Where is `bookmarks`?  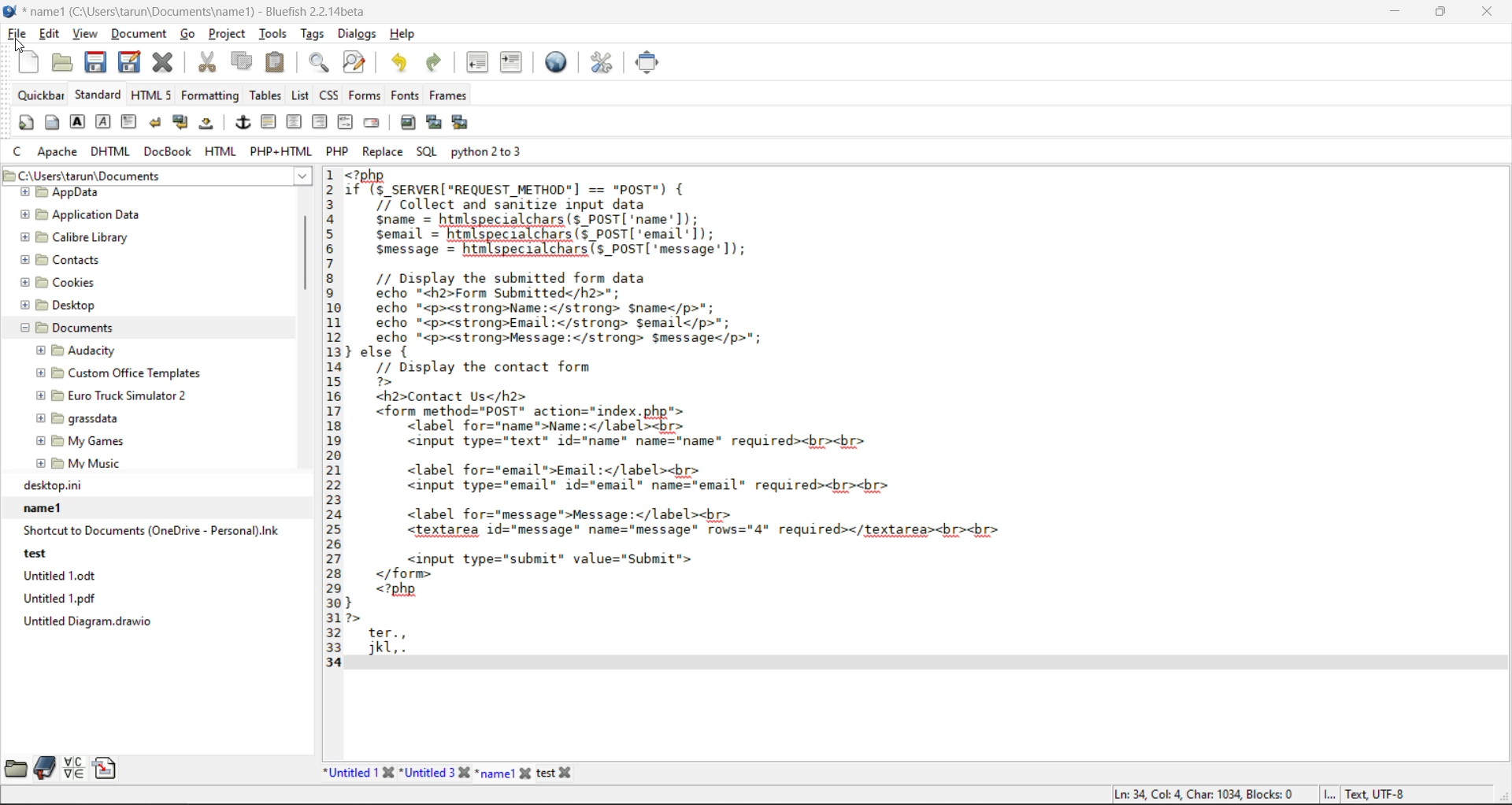 bookmarks is located at coordinates (46, 768).